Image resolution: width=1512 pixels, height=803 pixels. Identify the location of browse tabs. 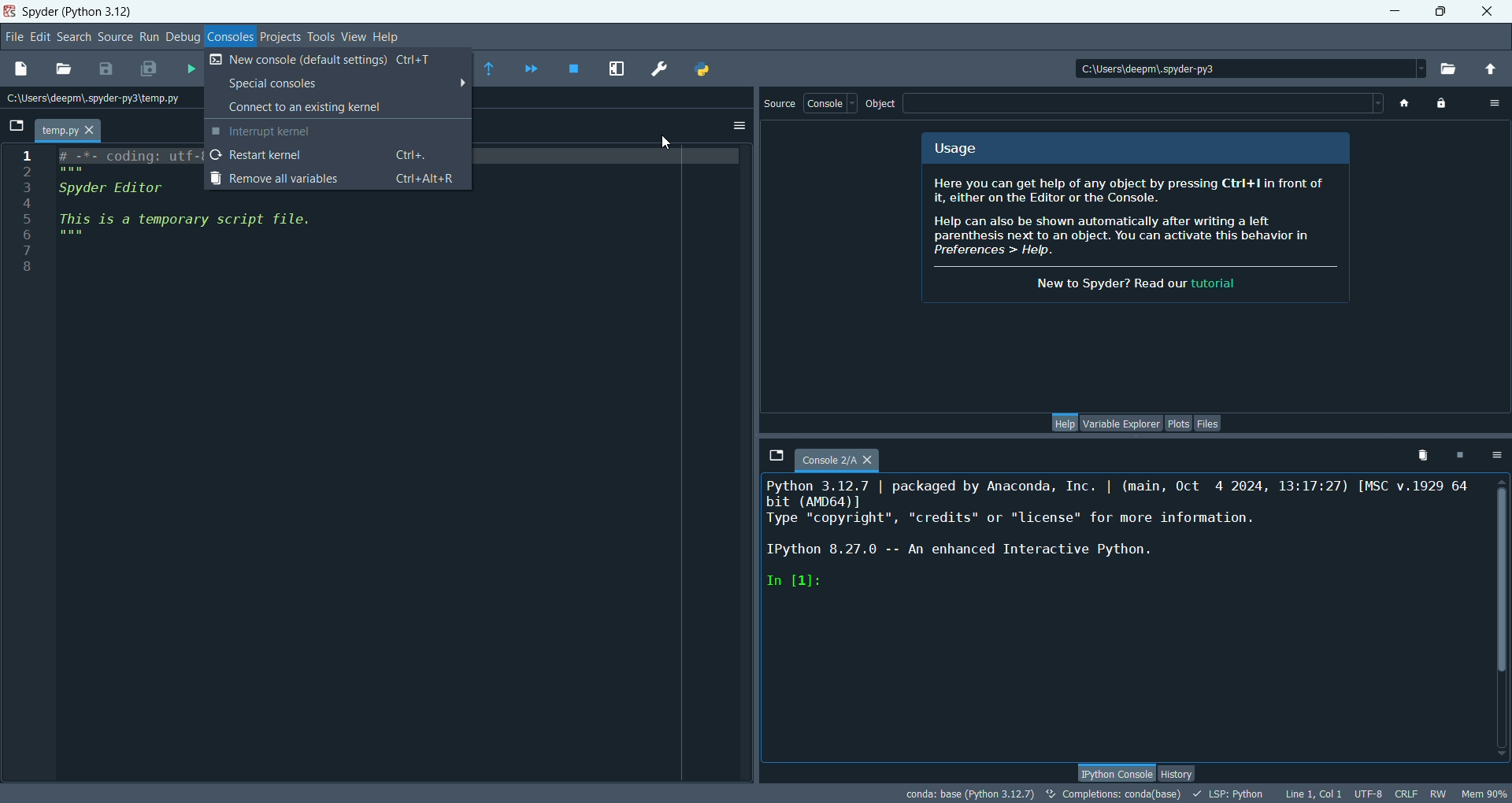
(17, 127).